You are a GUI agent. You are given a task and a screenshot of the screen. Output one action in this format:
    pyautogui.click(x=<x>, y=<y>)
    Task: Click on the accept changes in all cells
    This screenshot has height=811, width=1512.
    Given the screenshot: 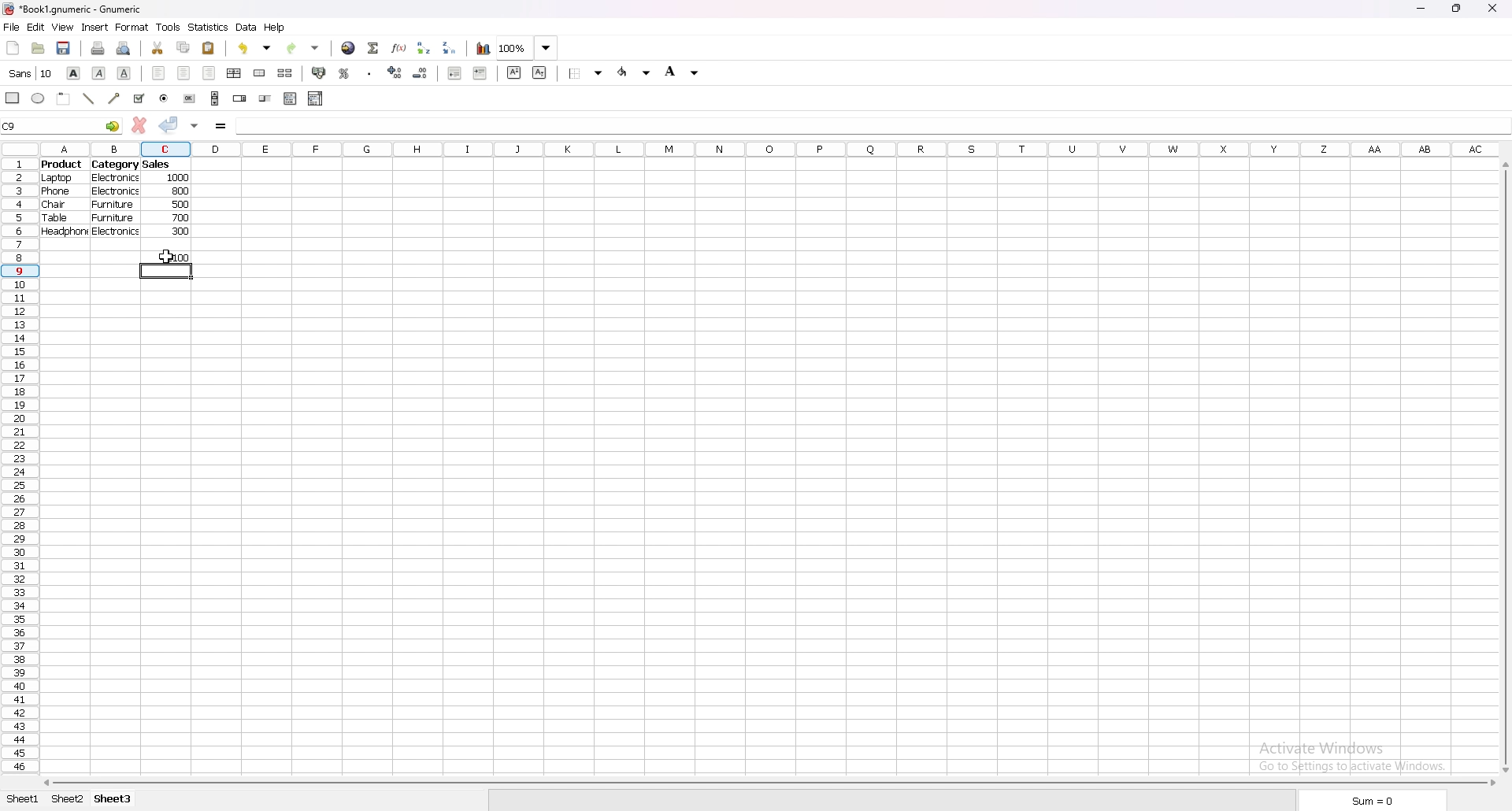 What is the action you would take?
    pyautogui.click(x=195, y=124)
    